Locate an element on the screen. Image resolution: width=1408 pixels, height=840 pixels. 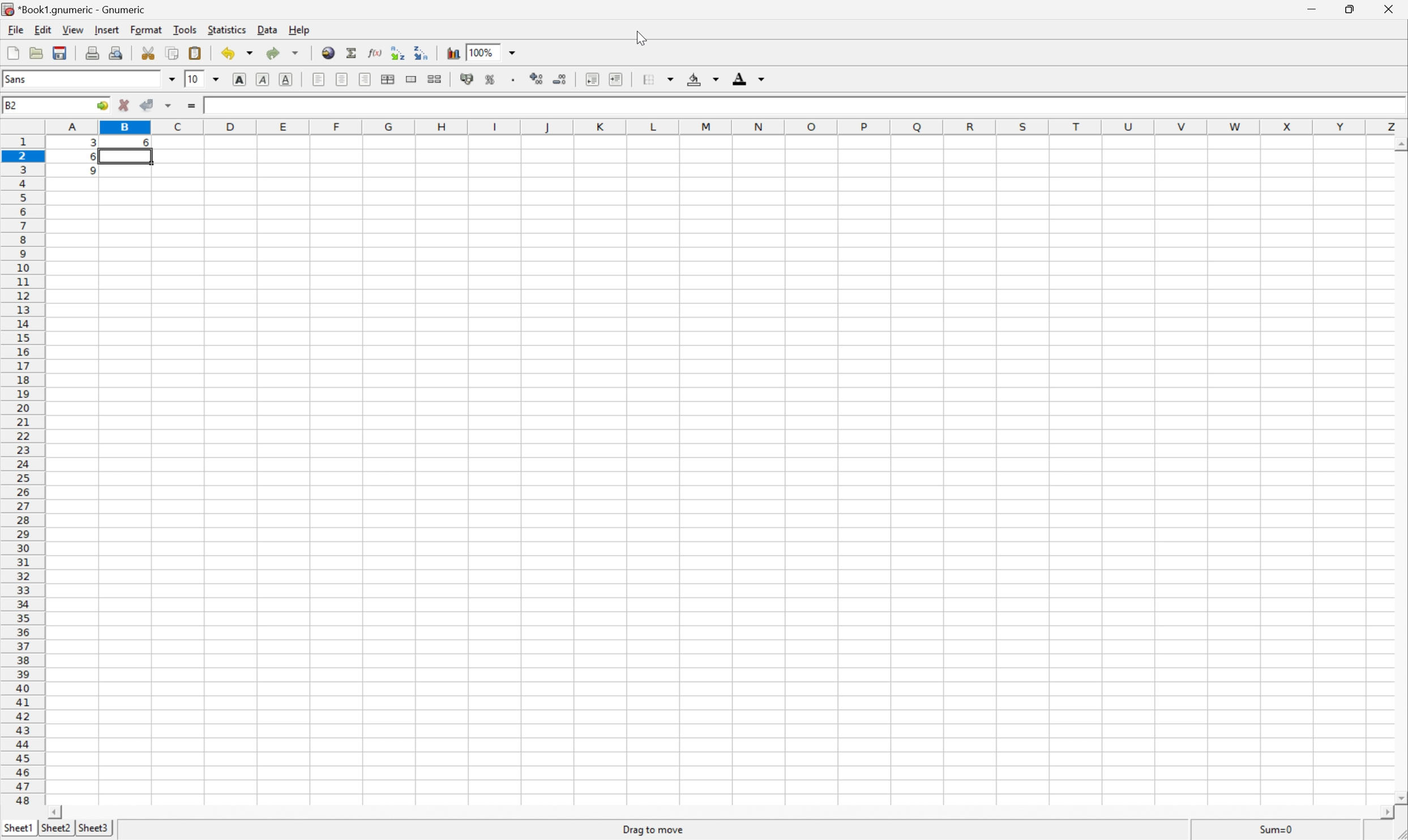
Restore Down is located at coordinates (1350, 9).